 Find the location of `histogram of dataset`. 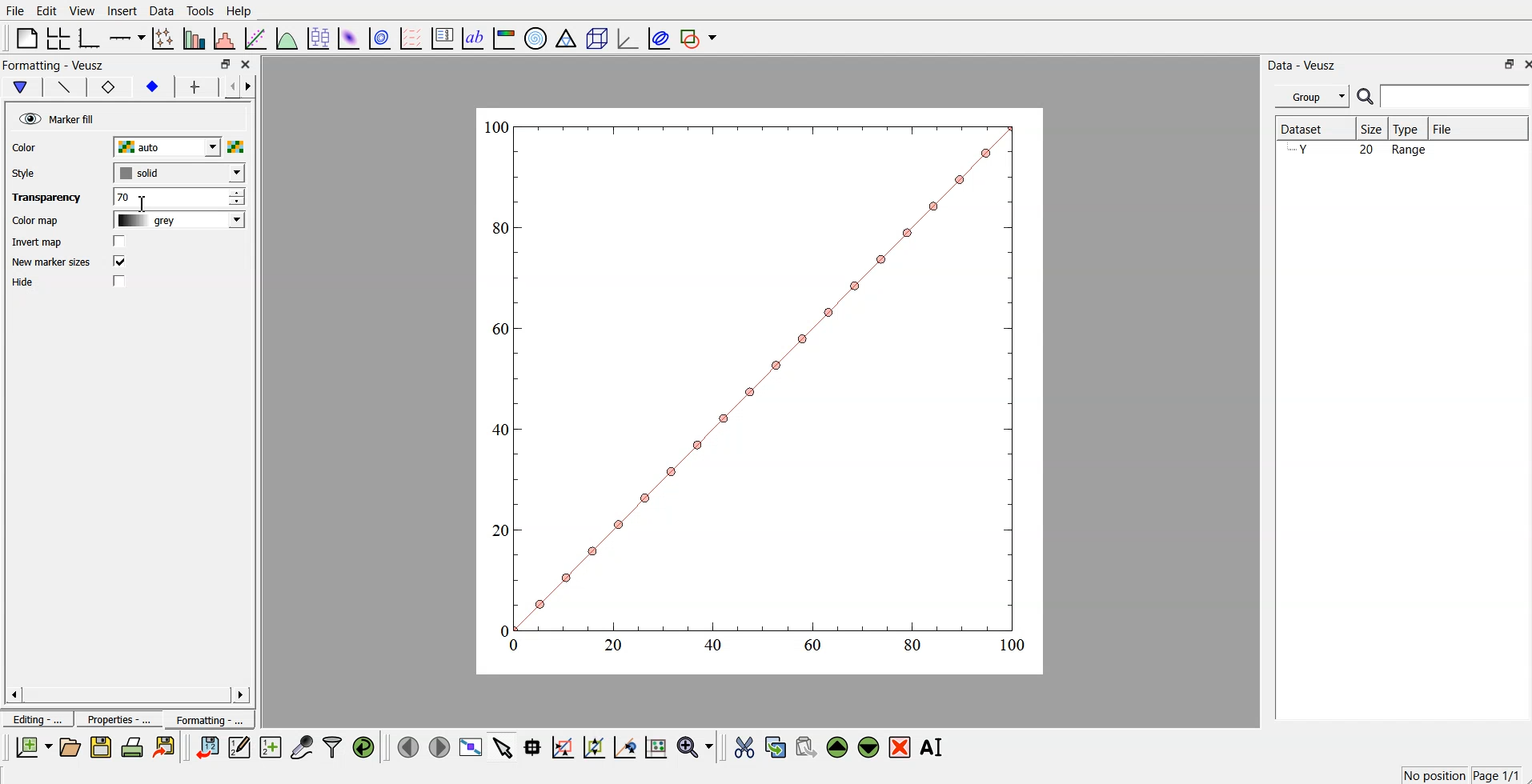

histogram of dataset is located at coordinates (226, 38).